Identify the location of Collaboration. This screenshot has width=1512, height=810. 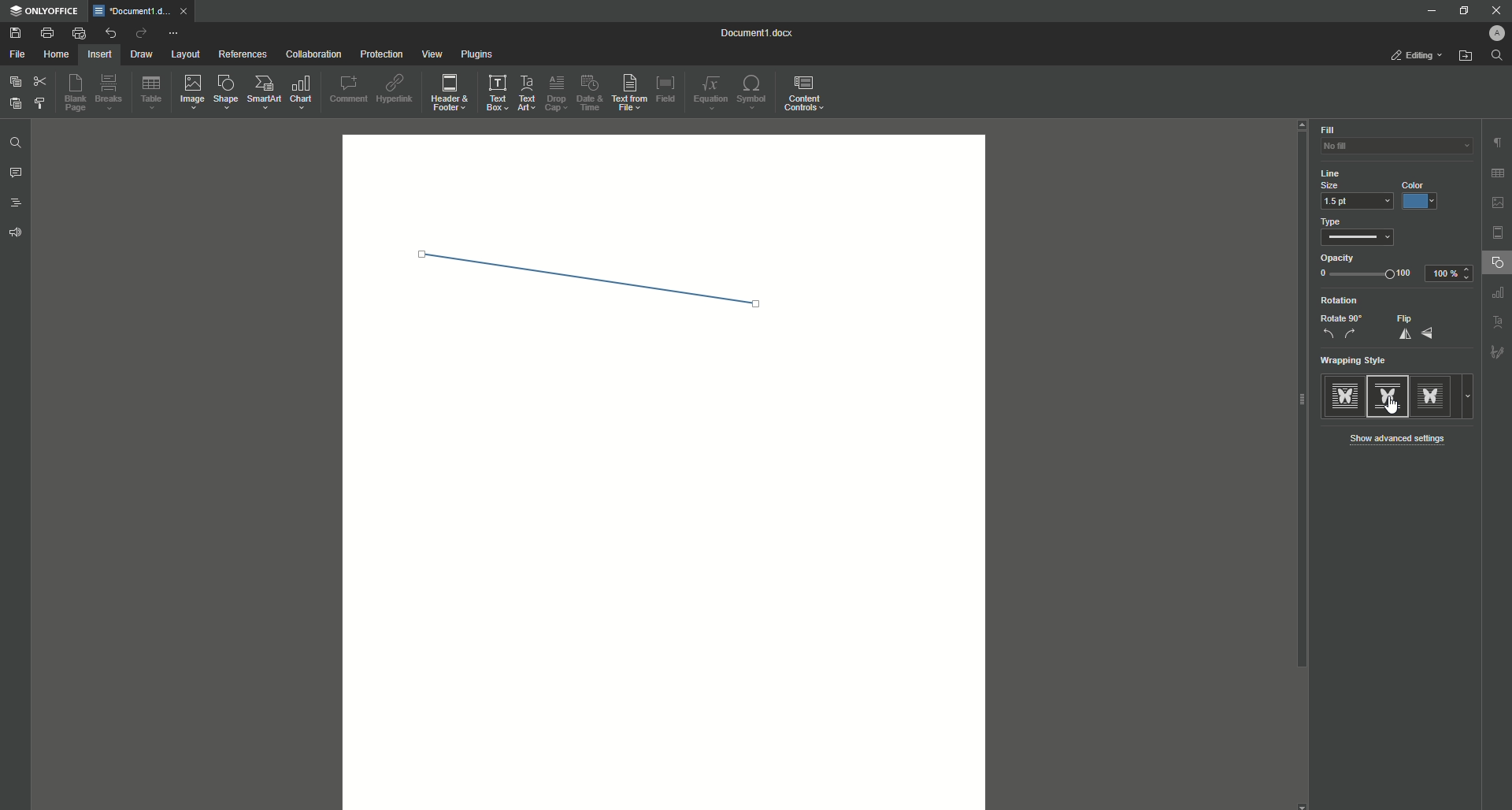
(316, 54).